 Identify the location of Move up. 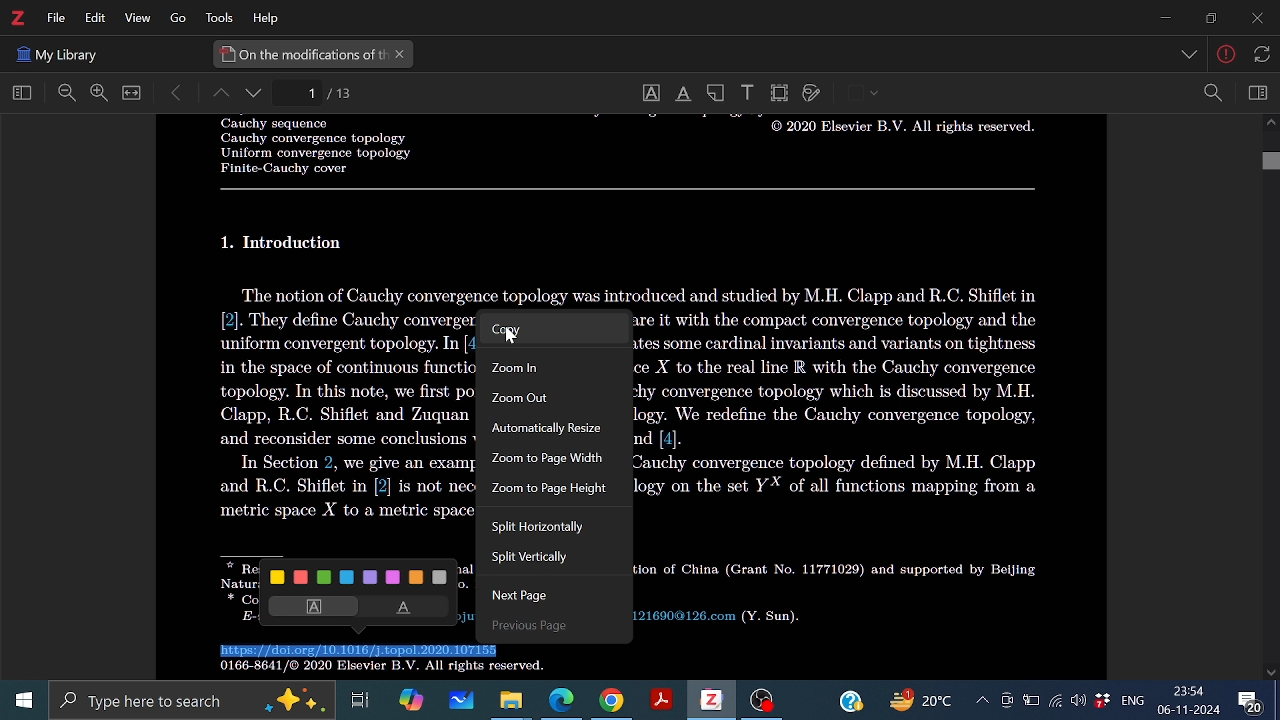
(1270, 125).